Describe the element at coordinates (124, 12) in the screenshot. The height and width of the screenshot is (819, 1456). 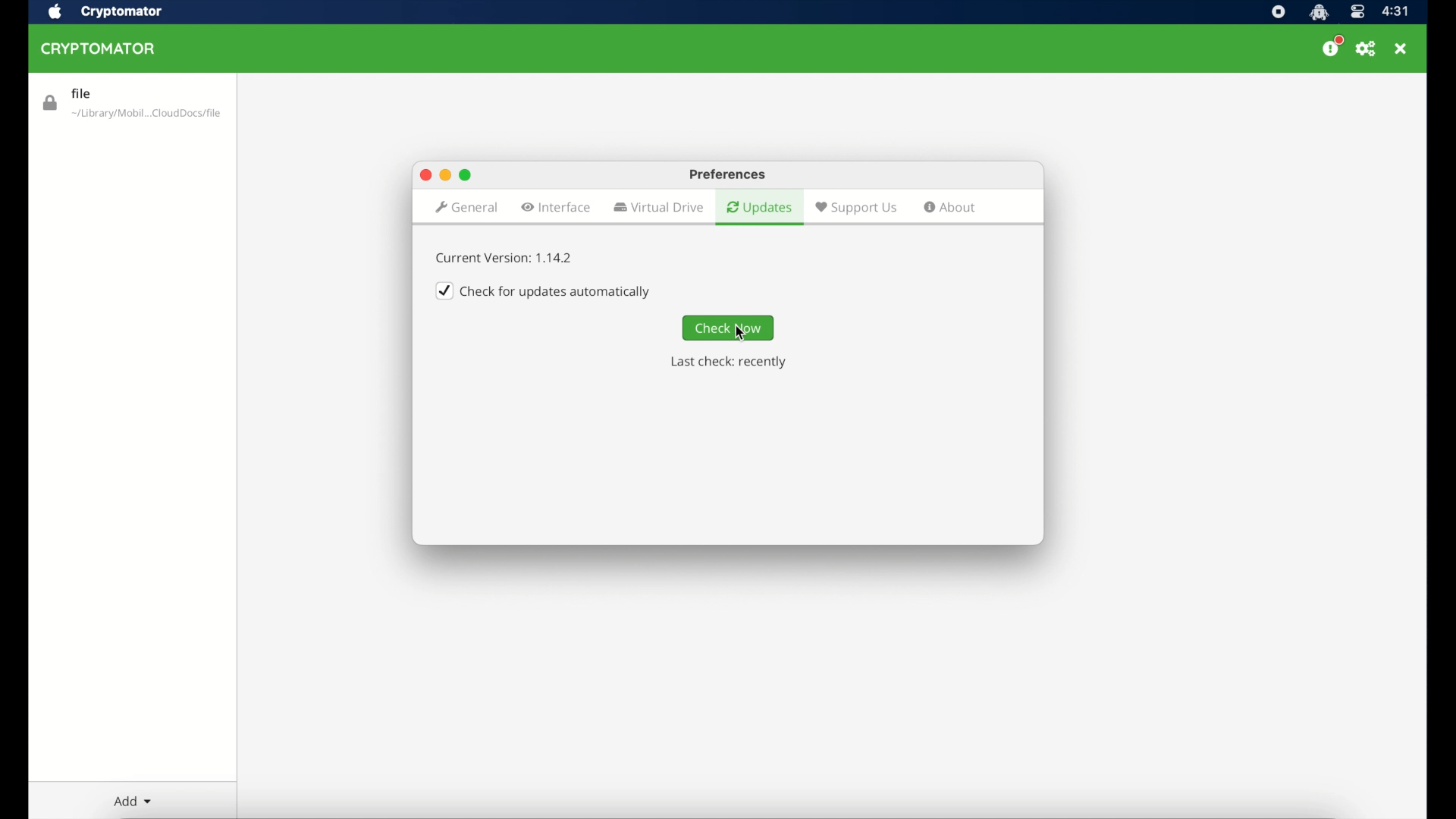
I see `cryptomator` at that location.